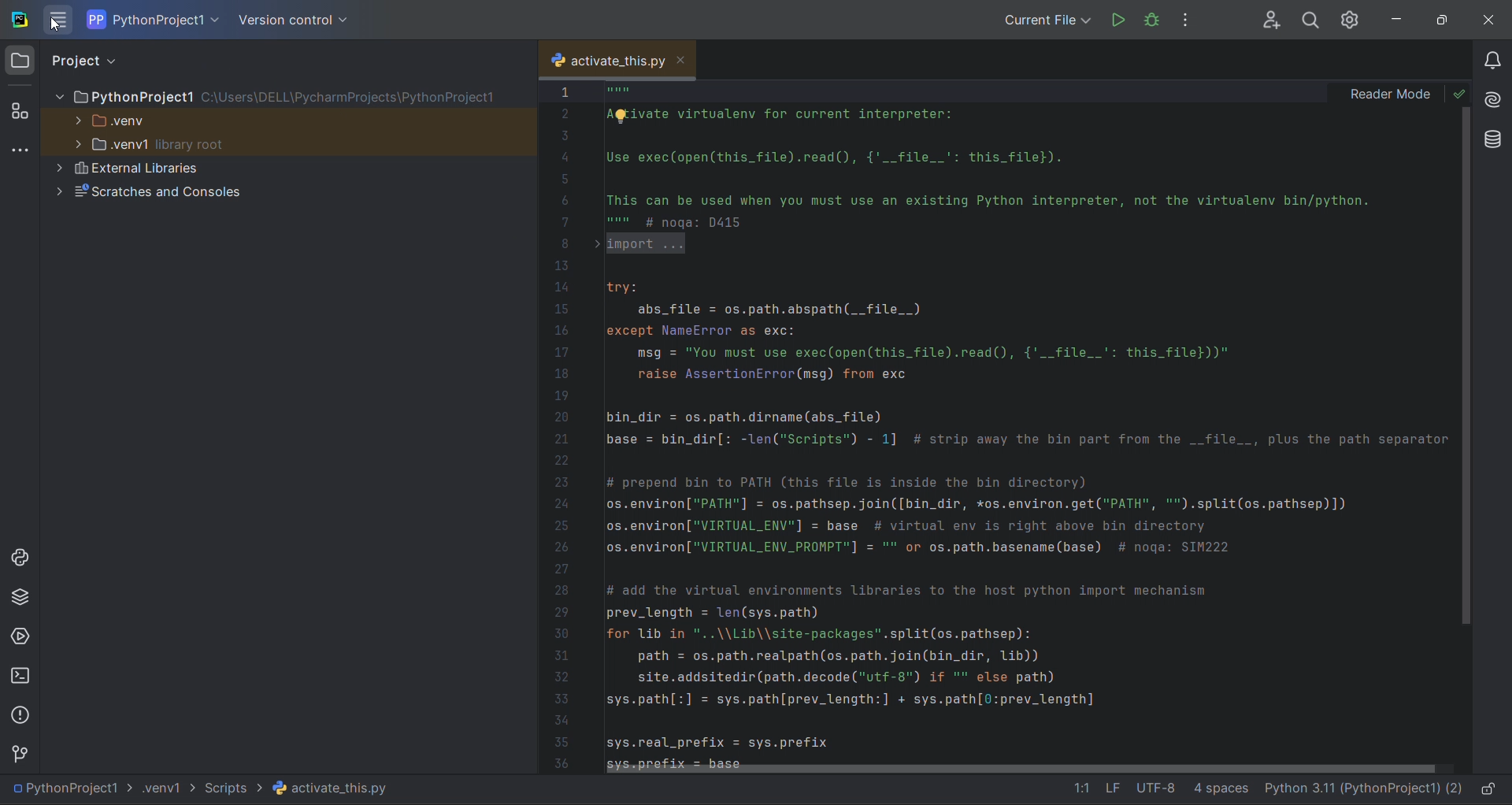 This screenshot has width=1512, height=805. What do you see at coordinates (19, 20) in the screenshot?
I see `logo` at bounding box center [19, 20].